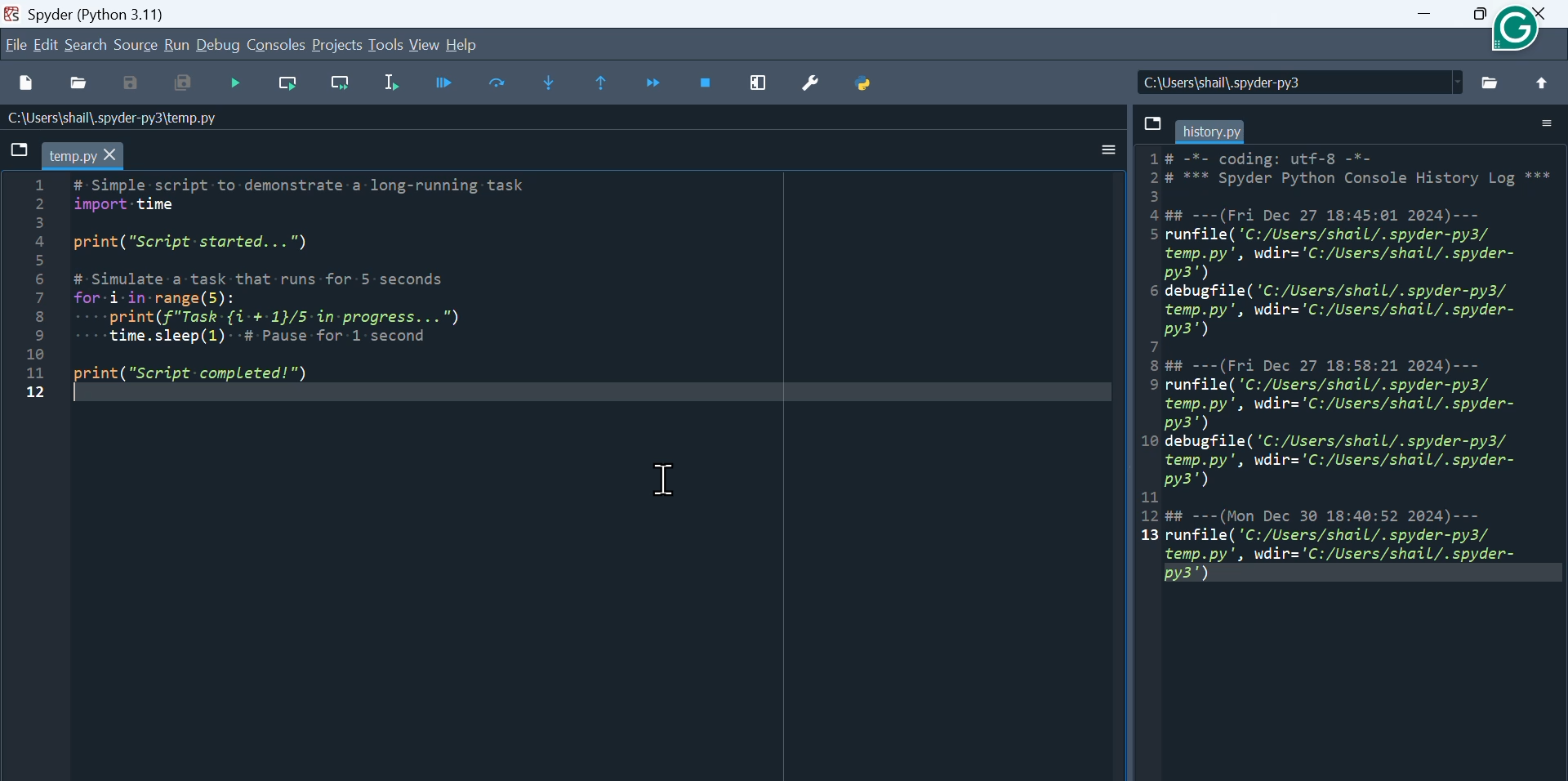 Image resolution: width=1568 pixels, height=781 pixels. What do you see at coordinates (1517, 28) in the screenshot?
I see `icon` at bounding box center [1517, 28].